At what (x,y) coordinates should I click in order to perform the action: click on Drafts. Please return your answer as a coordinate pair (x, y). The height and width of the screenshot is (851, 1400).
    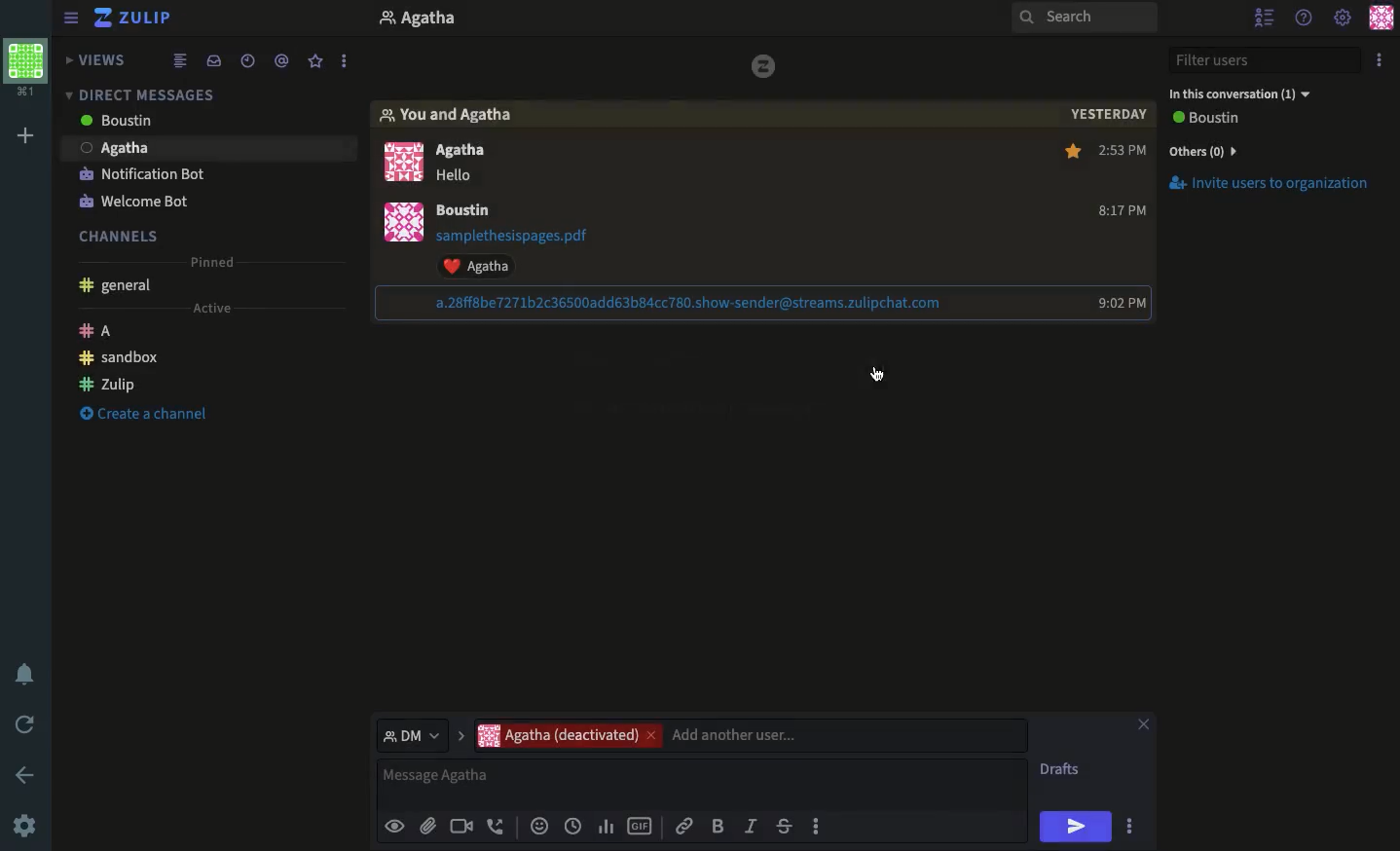
    Looking at the image, I should click on (1062, 771).